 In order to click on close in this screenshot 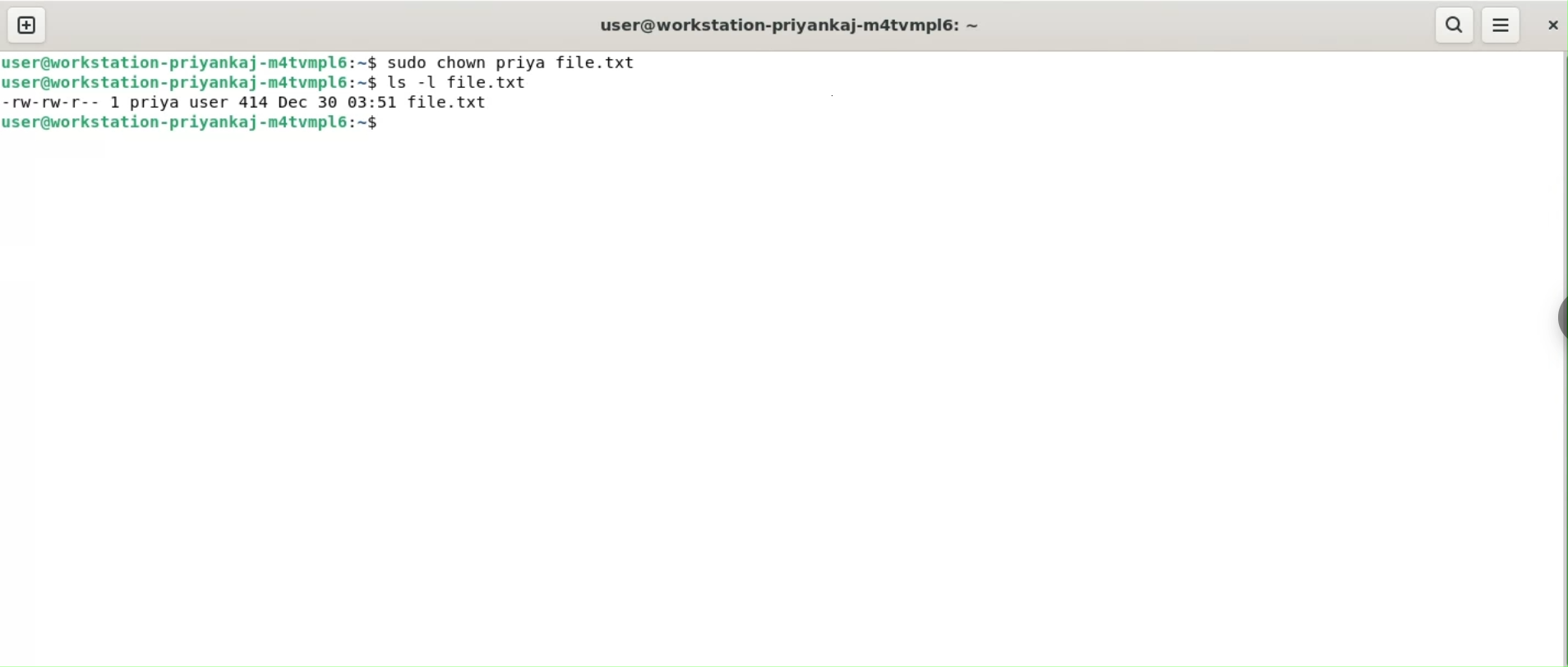, I will do `click(1549, 25)`.